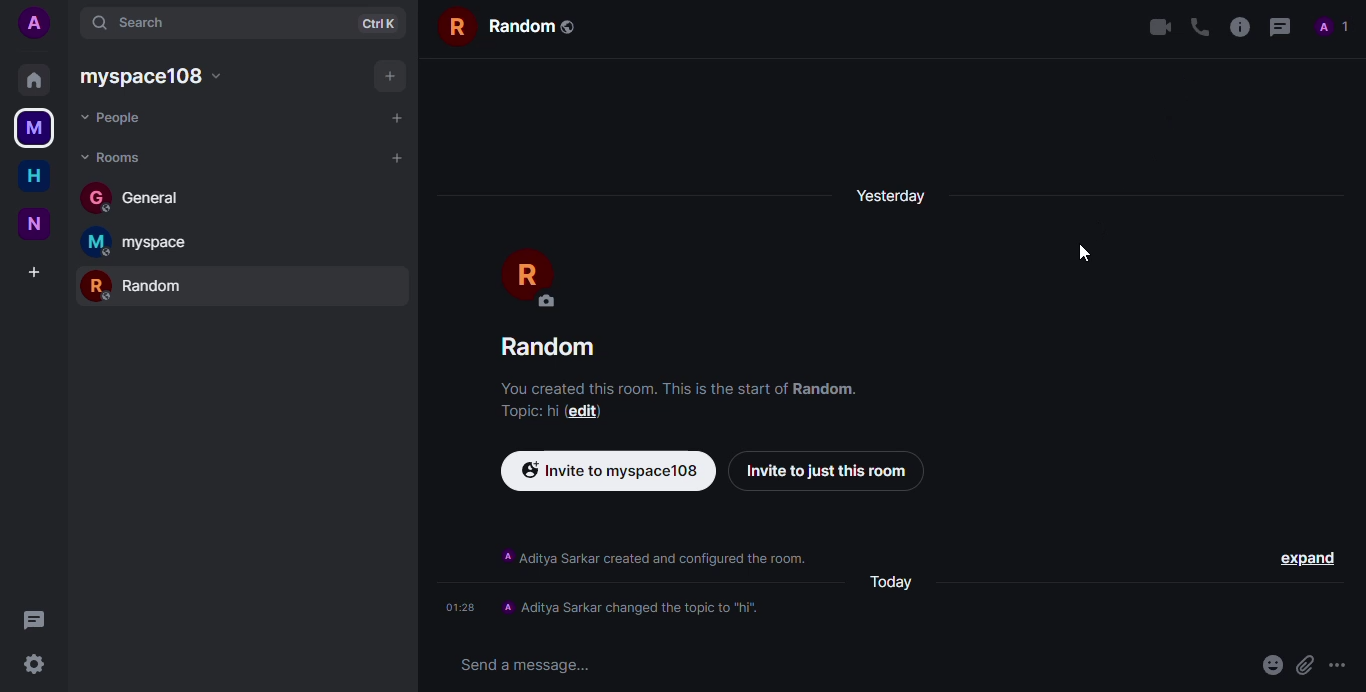  What do you see at coordinates (35, 271) in the screenshot?
I see `add` at bounding box center [35, 271].